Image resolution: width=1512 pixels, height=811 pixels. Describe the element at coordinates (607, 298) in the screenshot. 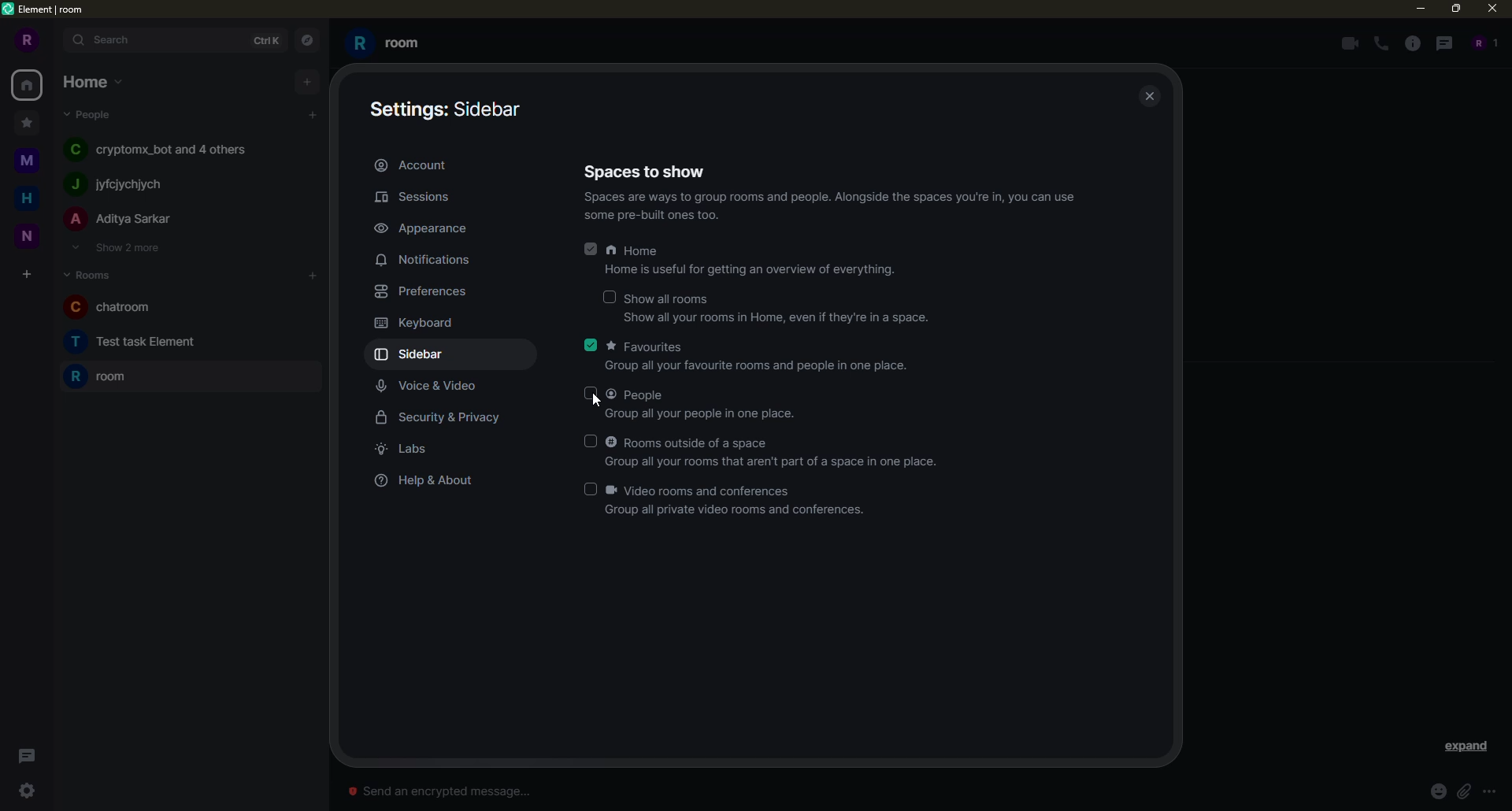

I see `select` at that location.